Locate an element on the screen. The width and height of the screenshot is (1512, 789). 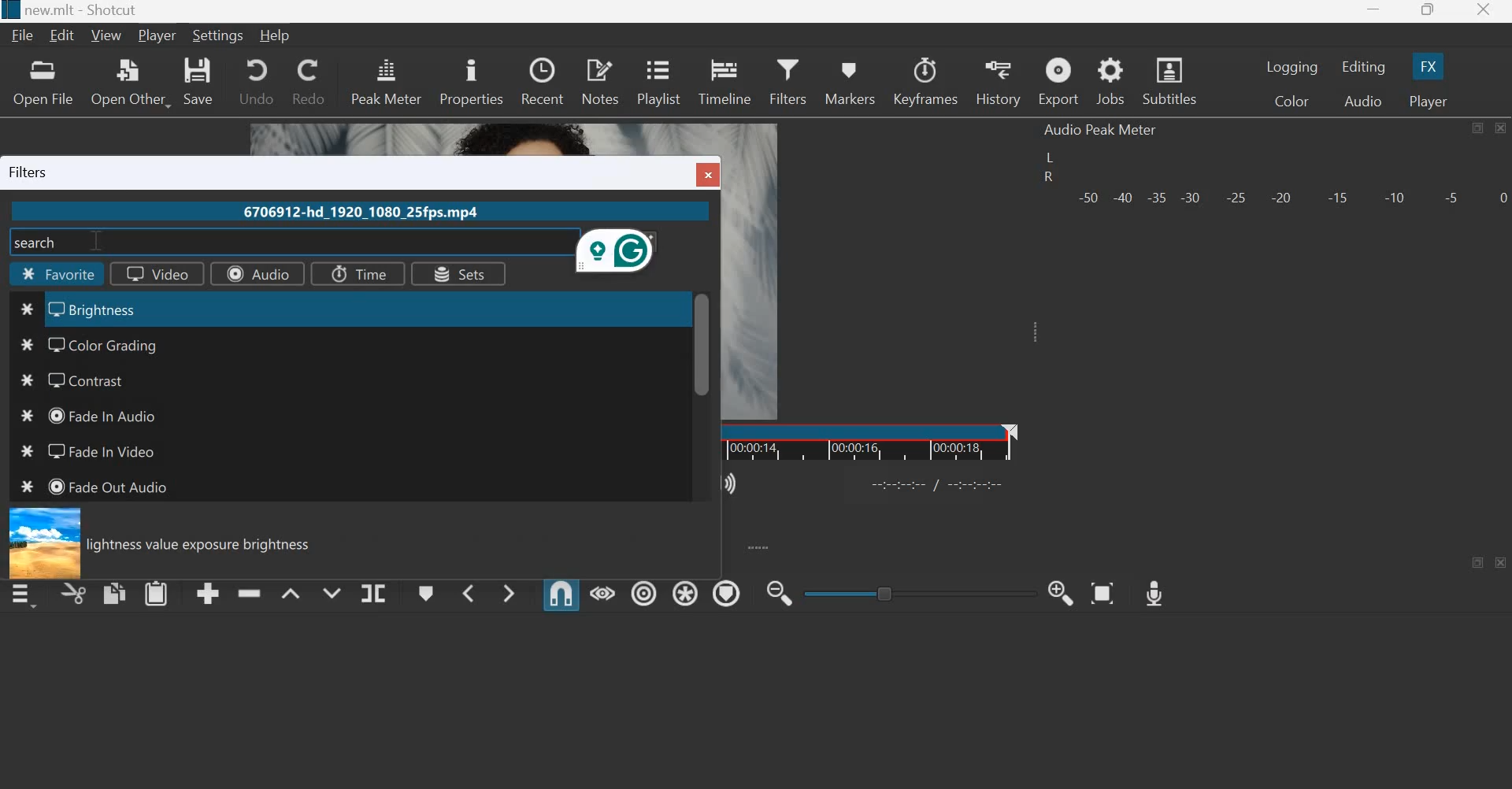
Show the volume control is located at coordinates (732, 481).